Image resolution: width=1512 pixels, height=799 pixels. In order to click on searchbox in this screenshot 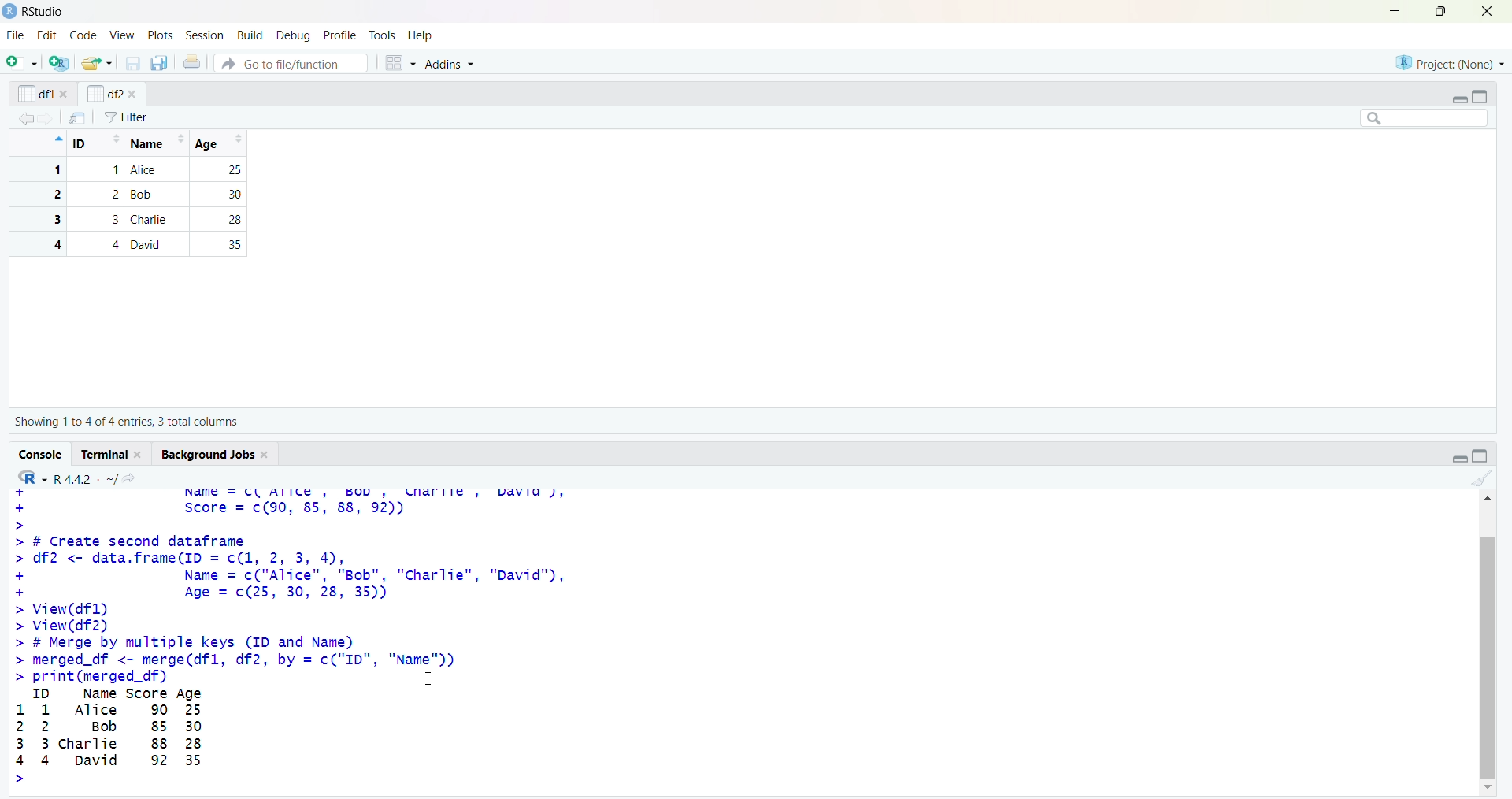, I will do `click(1425, 117)`.